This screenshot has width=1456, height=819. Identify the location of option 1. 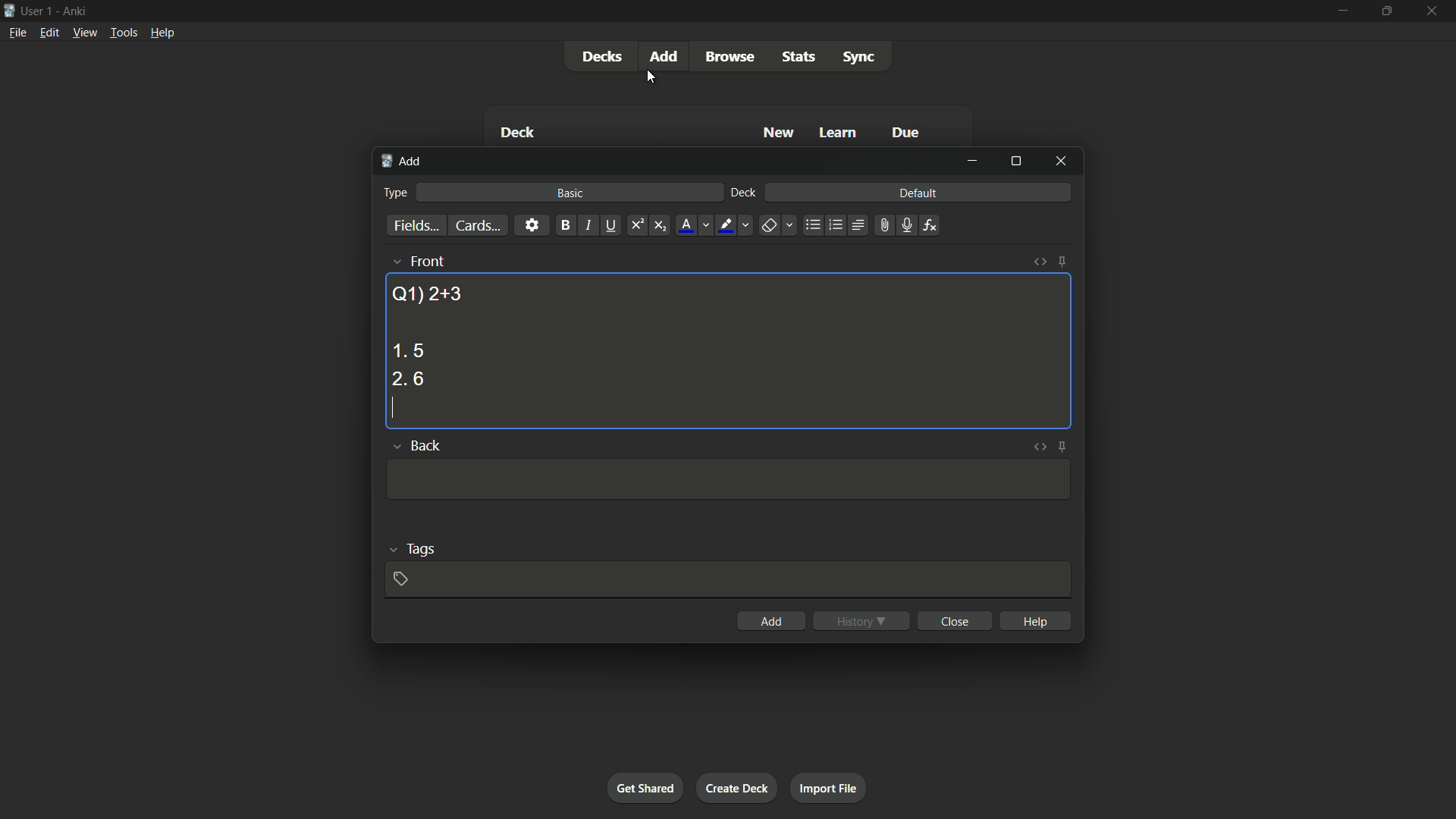
(408, 350).